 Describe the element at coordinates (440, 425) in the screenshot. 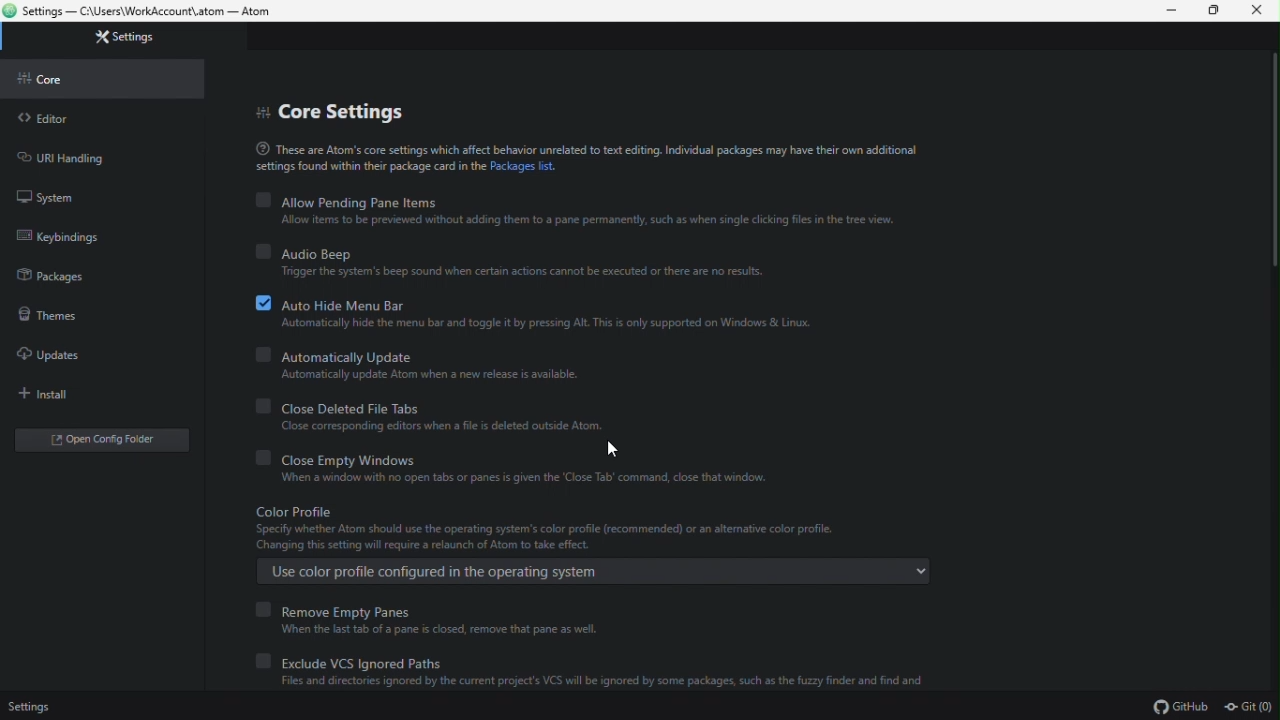

I see `‘Close corresponding editors when a file is deleted outside Atom:` at that location.